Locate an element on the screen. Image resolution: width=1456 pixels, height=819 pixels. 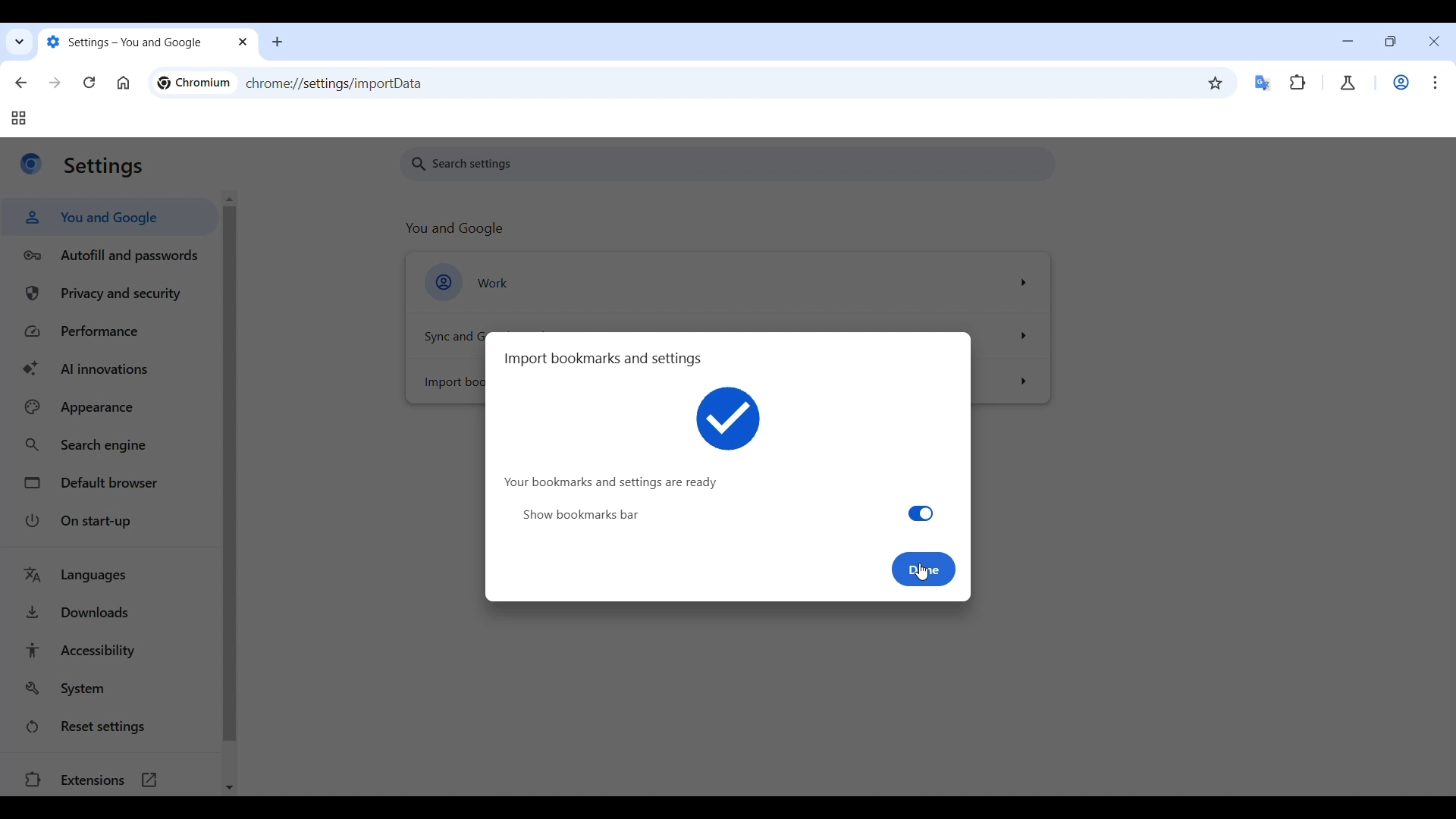
Extensions is located at coordinates (1298, 83).